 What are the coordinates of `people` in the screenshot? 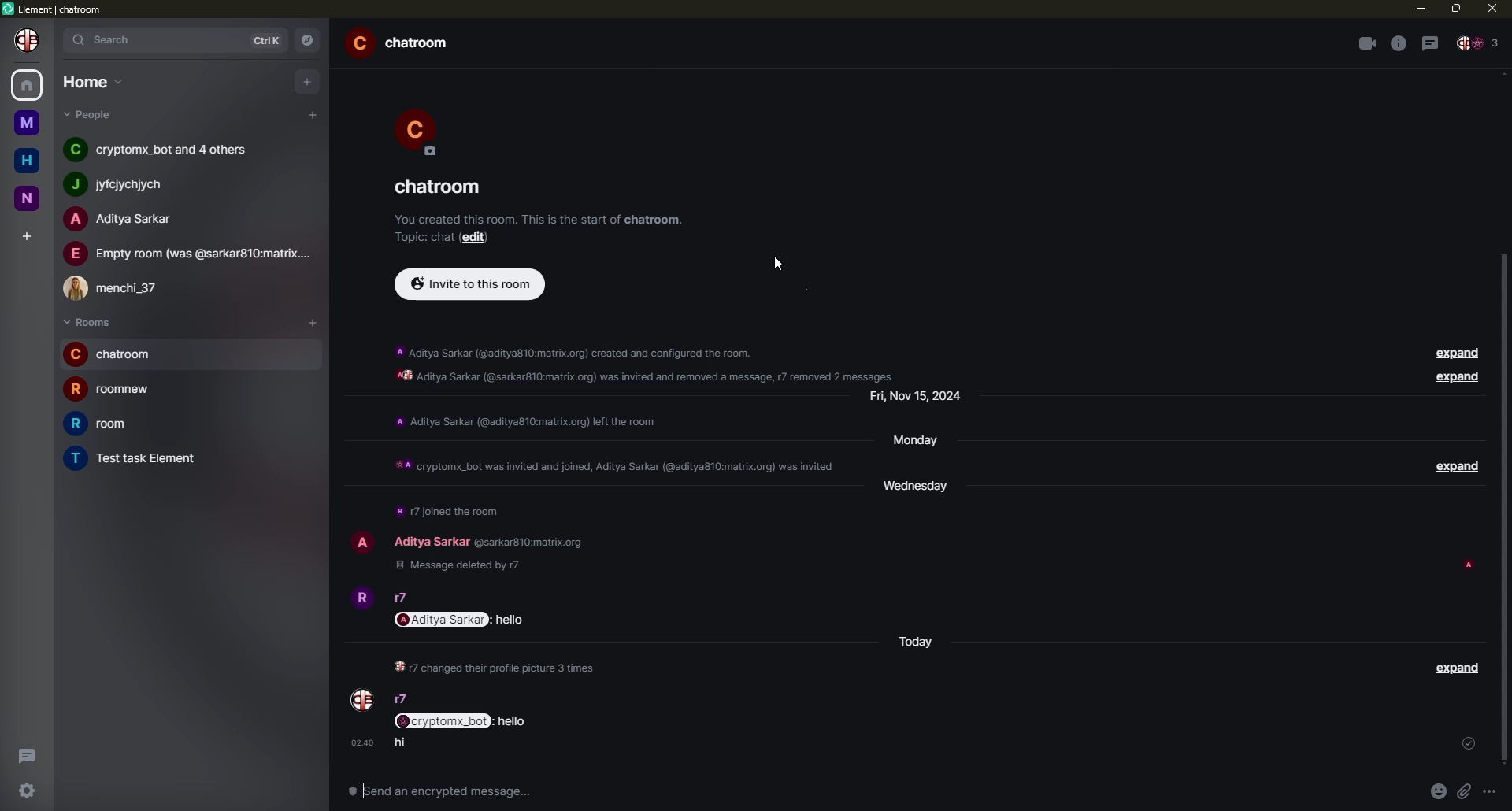 It's located at (187, 254).